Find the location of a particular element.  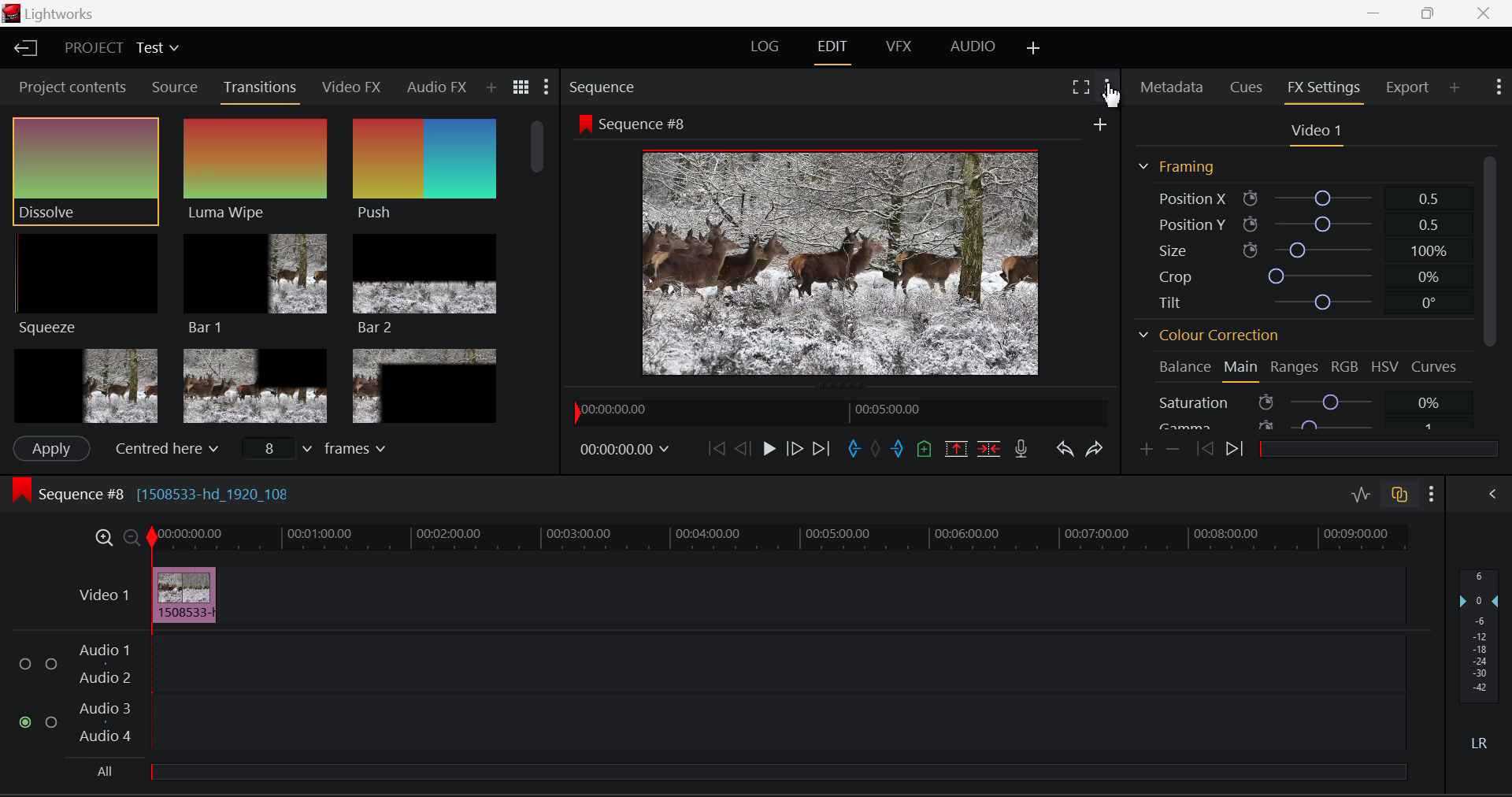

Gamma is located at coordinates (1301, 427).